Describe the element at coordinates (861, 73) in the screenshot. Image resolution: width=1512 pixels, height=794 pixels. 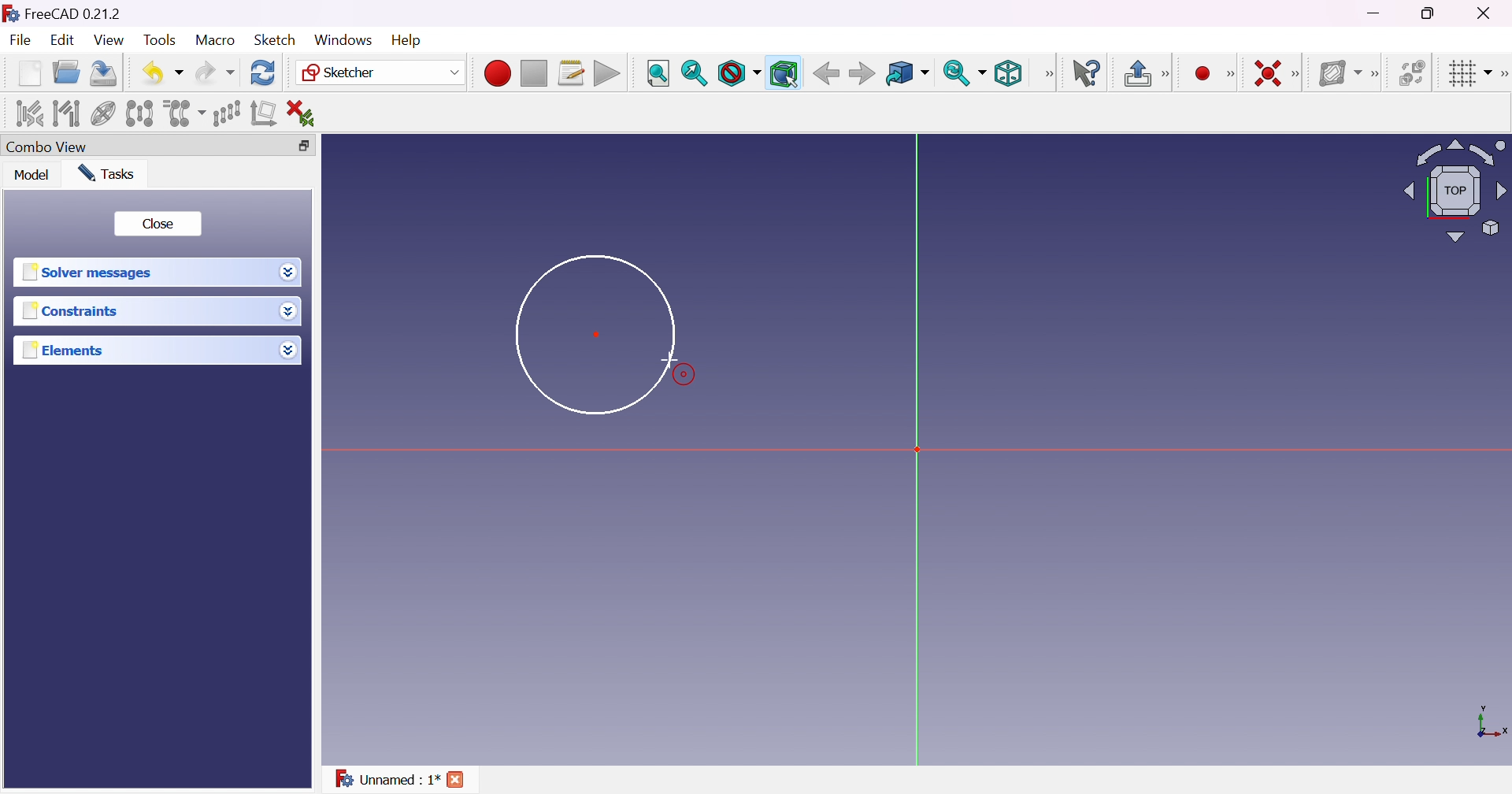
I see `Back` at that location.